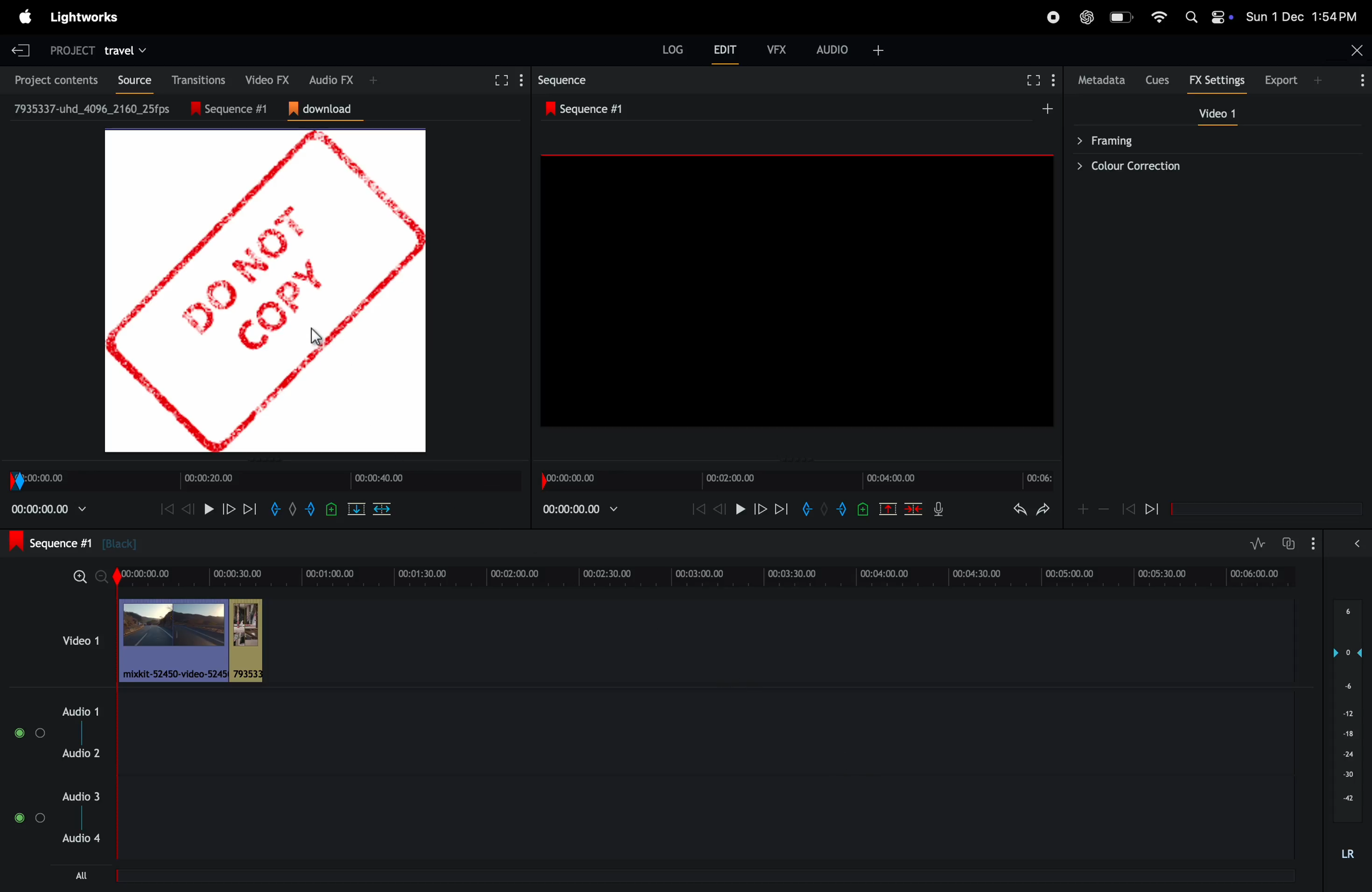  What do you see at coordinates (1313, 543) in the screenshot?
I see `options` at bounding box center [1313, 543].